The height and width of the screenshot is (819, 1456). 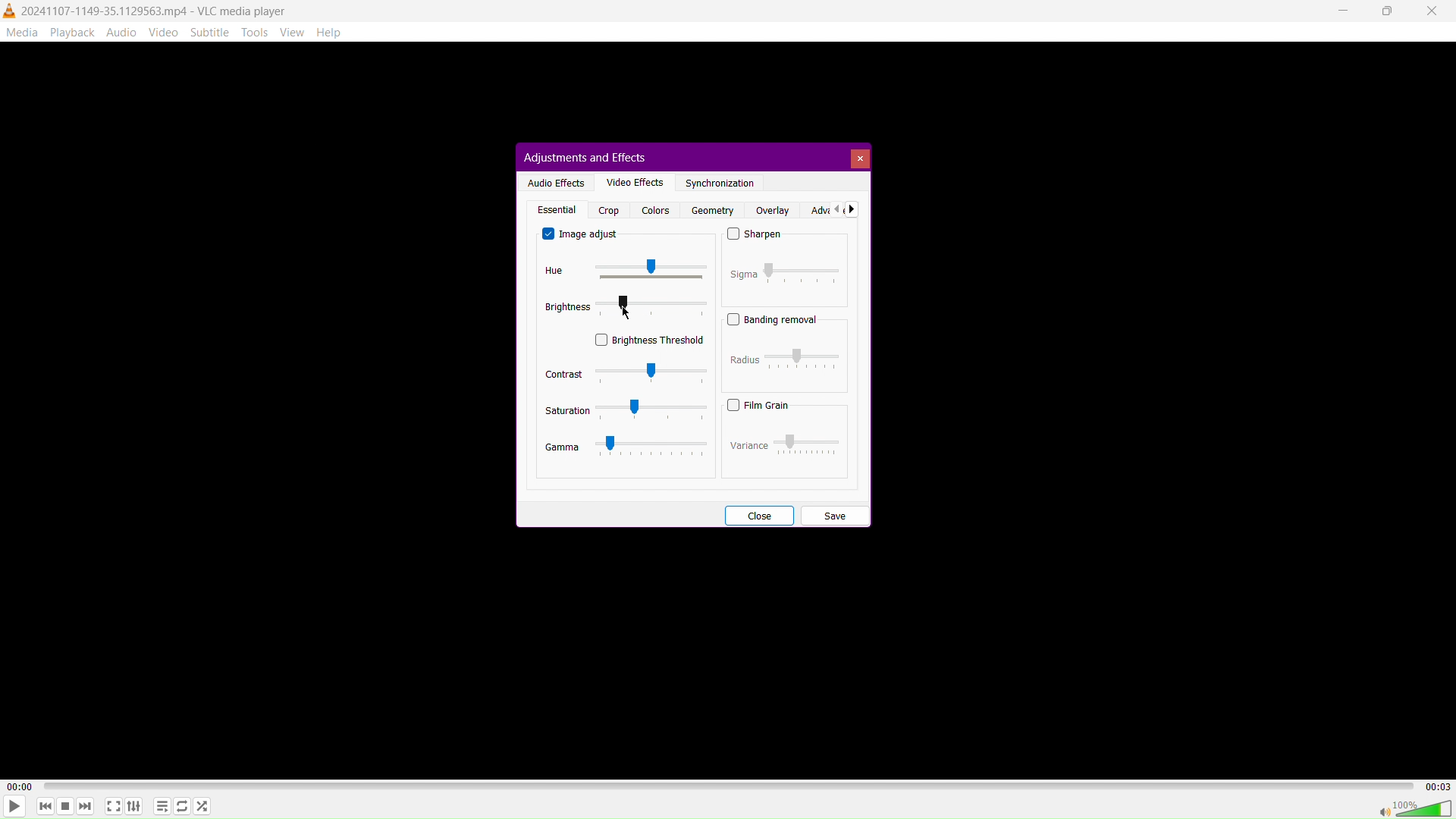 I want to click on Audio Effects, so click(x=554, y=181).